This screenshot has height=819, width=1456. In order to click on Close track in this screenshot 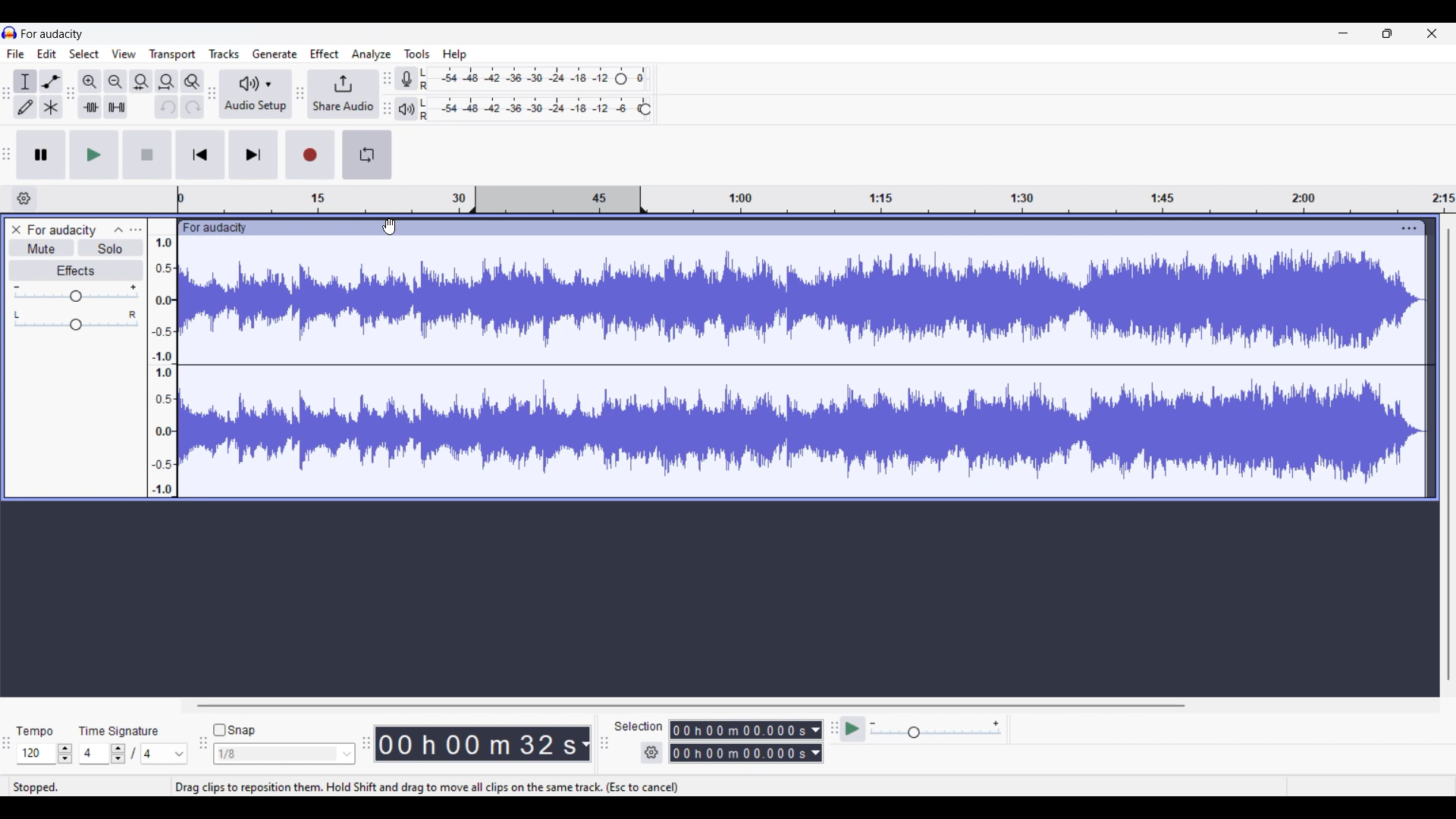, I will do `click(17, 230)`.